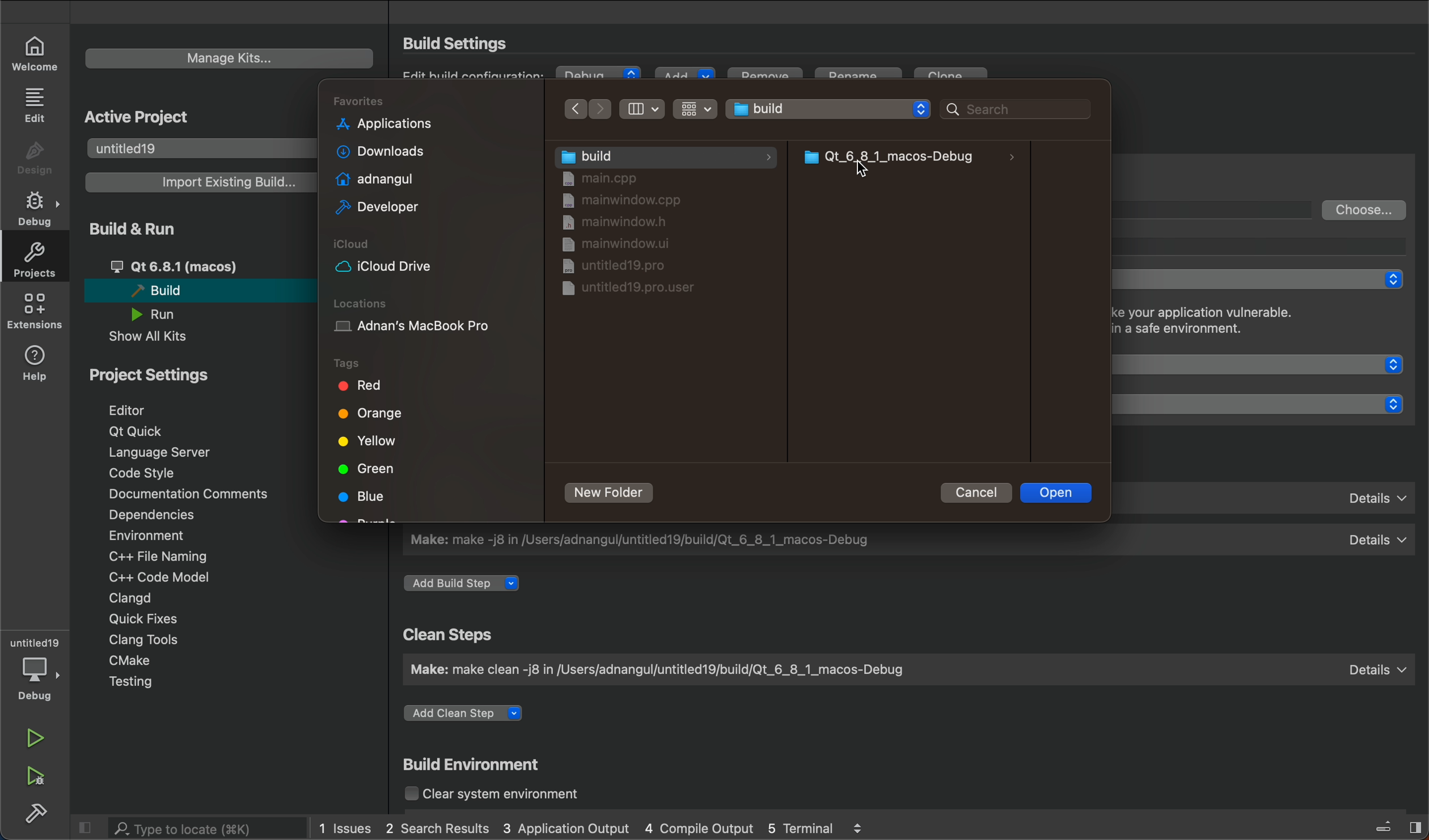 The image size is (1429, 840). I want to click on file, so click(626, 202).